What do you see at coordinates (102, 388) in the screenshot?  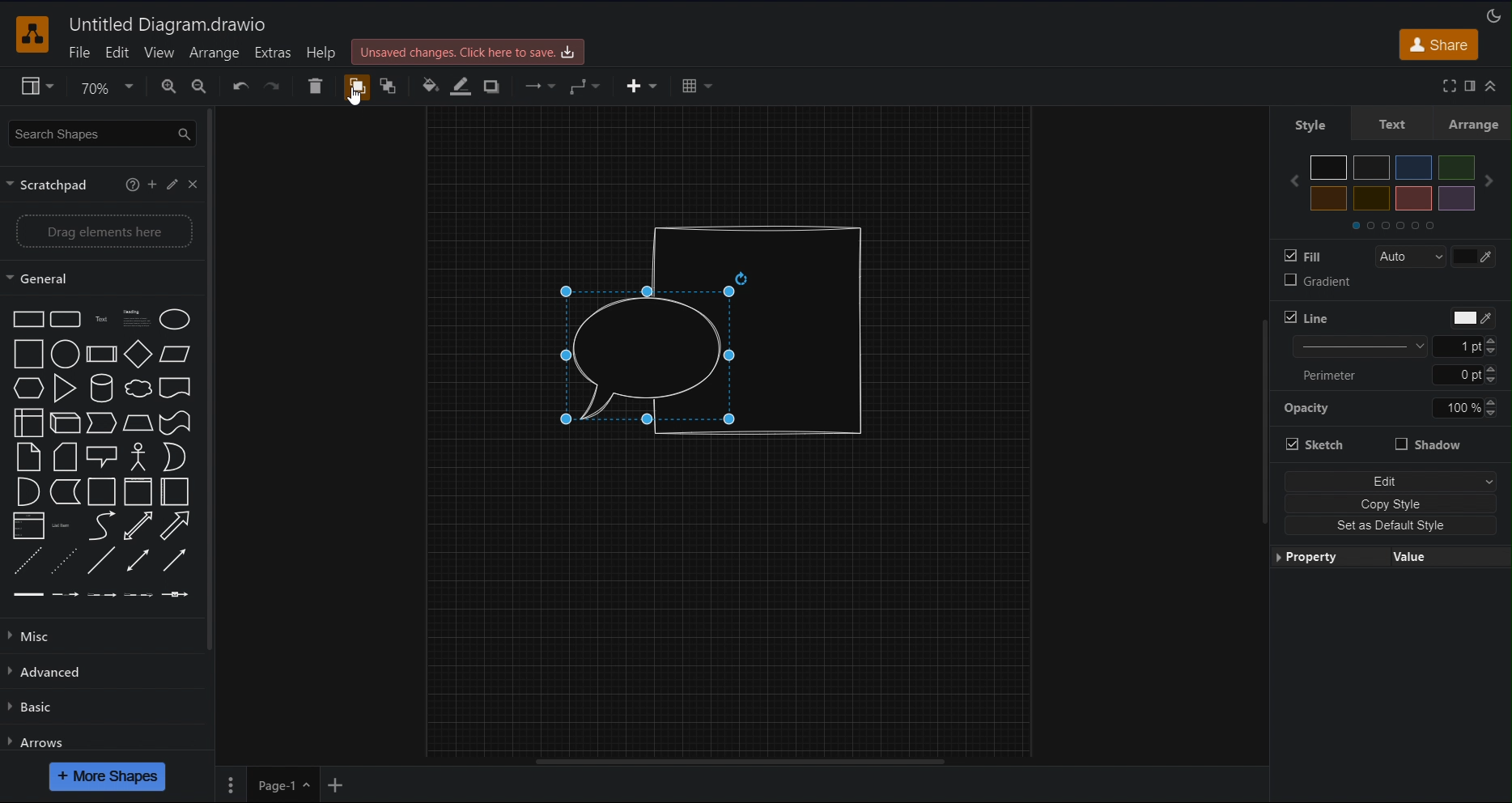 I see `Cylinder` at bounding box center [102, 388].